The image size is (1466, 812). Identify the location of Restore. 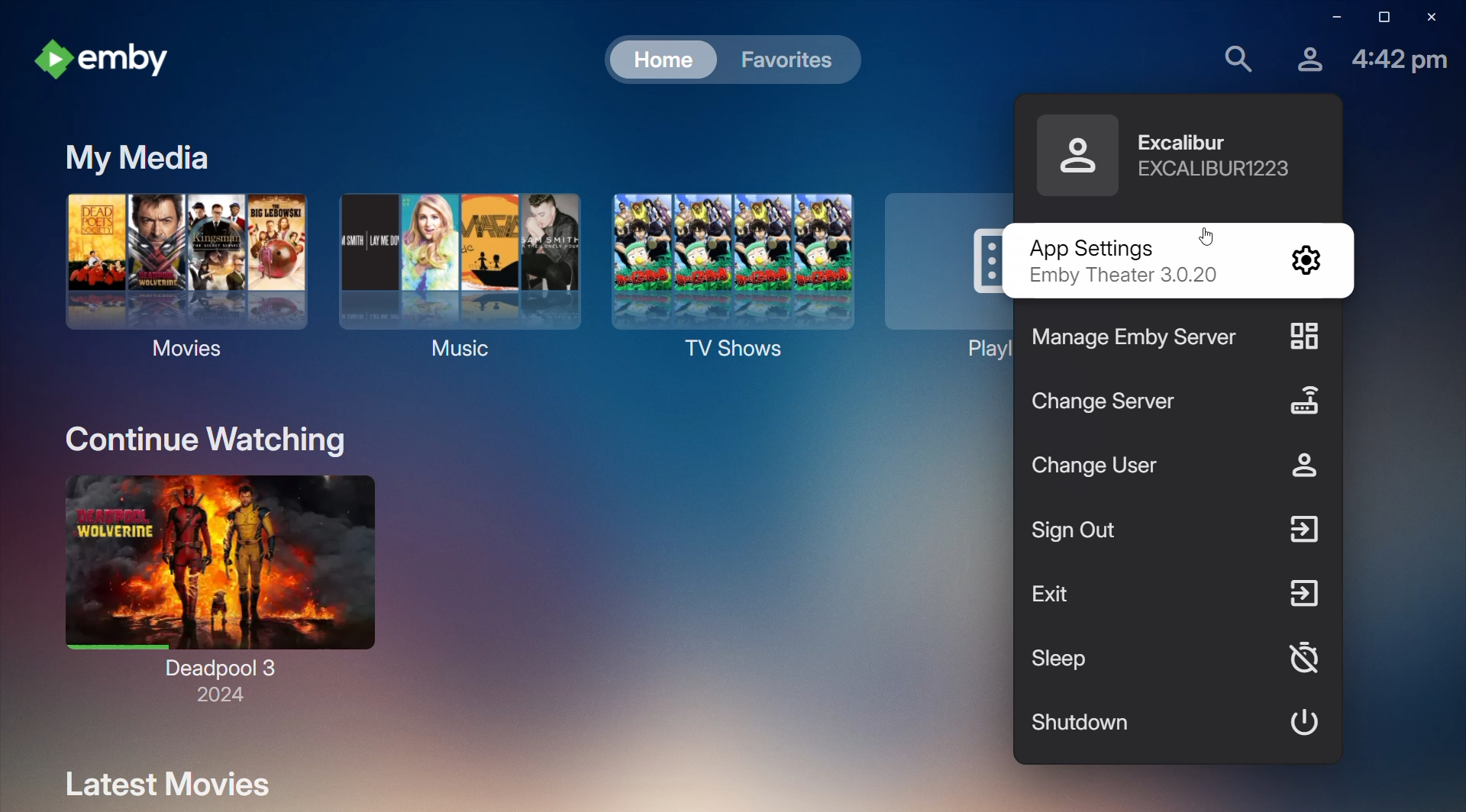
(1379, 18).